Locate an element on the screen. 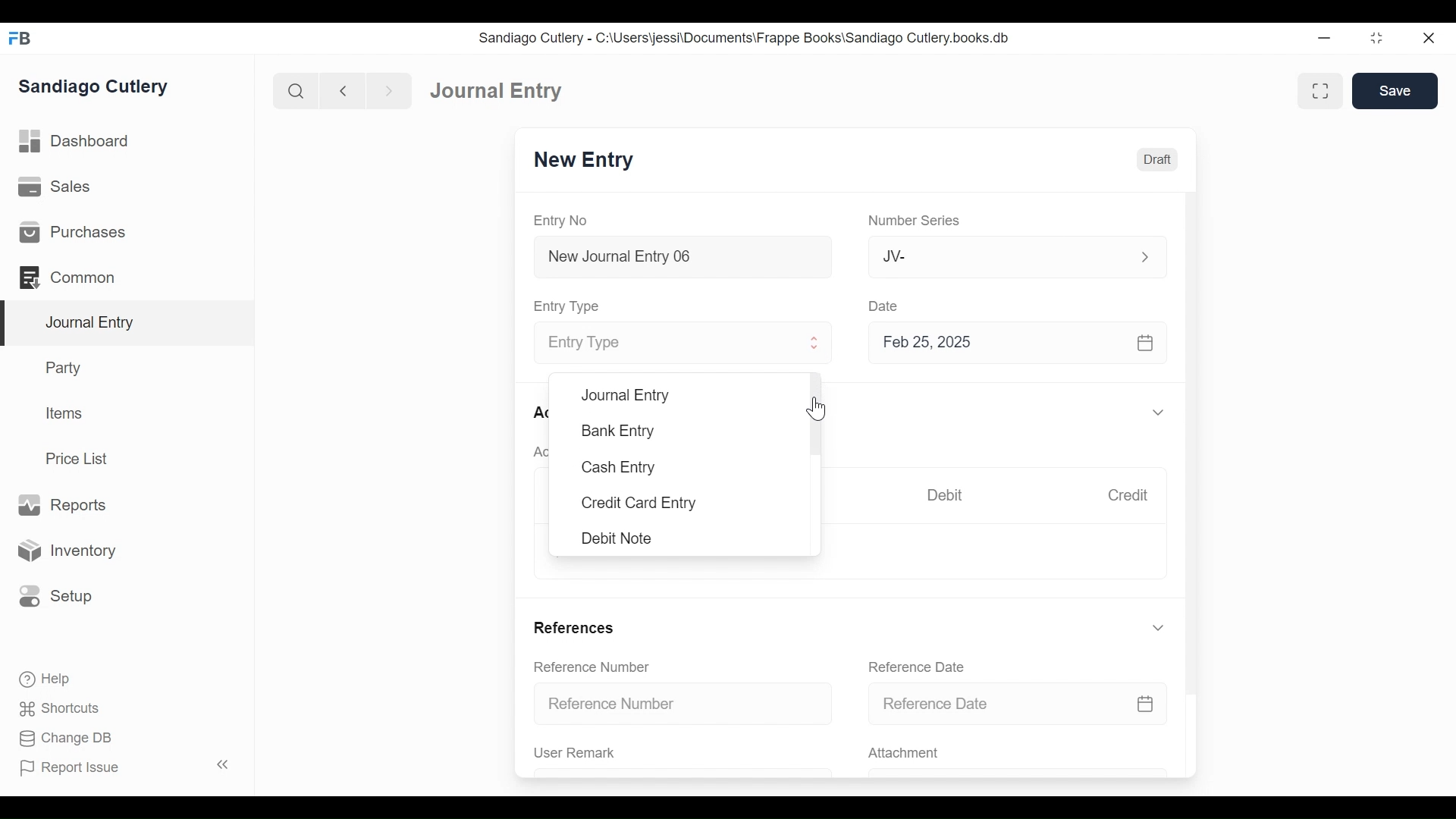 Image resolution: width=1456 pixels, height=819 pixels. Save is located at coordinates (1395, 90).